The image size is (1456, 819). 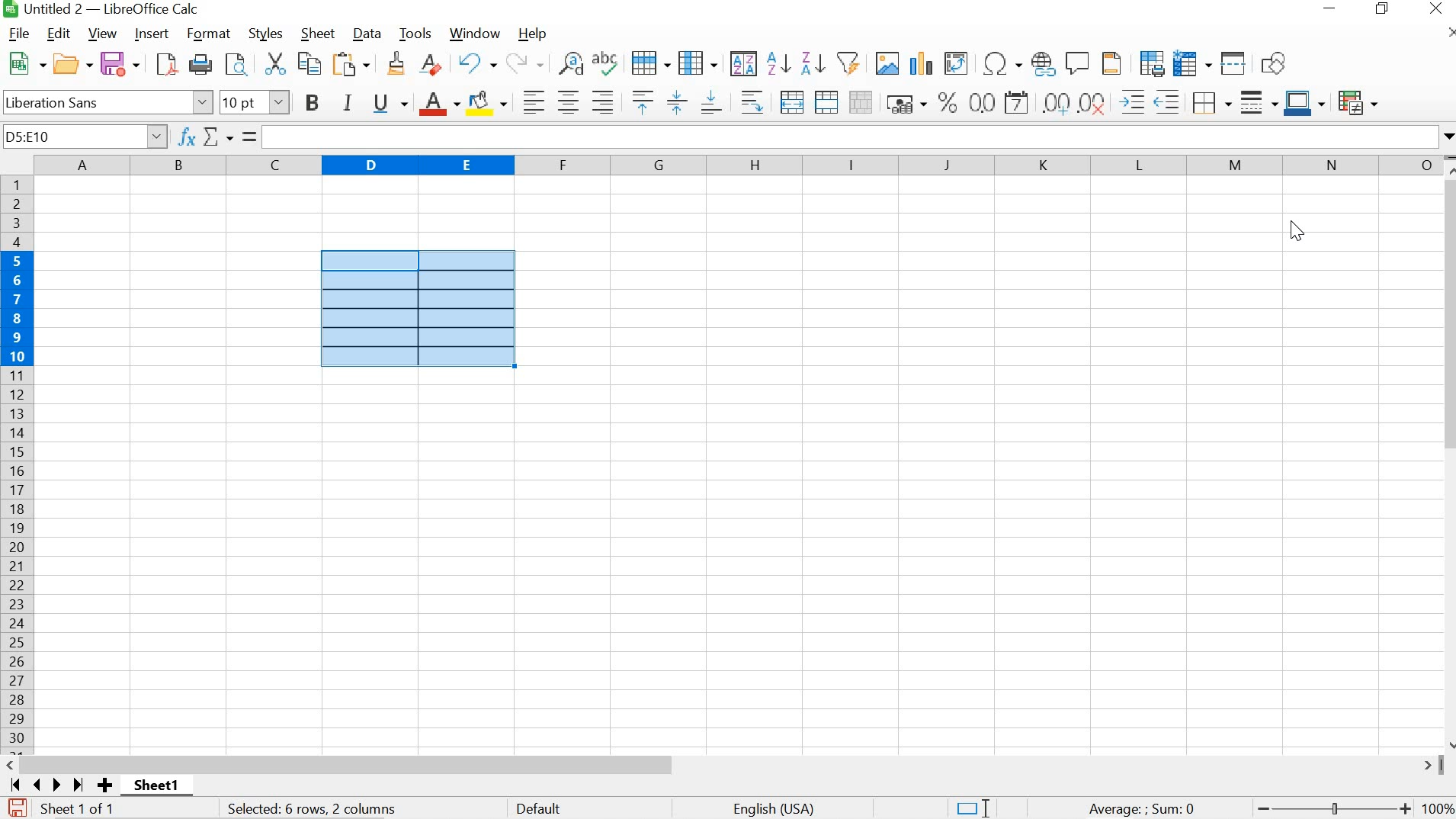 What do you see at coordinates (710, 104) in the screenshot?
I see `ALIGN BOTTOM` at bounding box center [710, 104].